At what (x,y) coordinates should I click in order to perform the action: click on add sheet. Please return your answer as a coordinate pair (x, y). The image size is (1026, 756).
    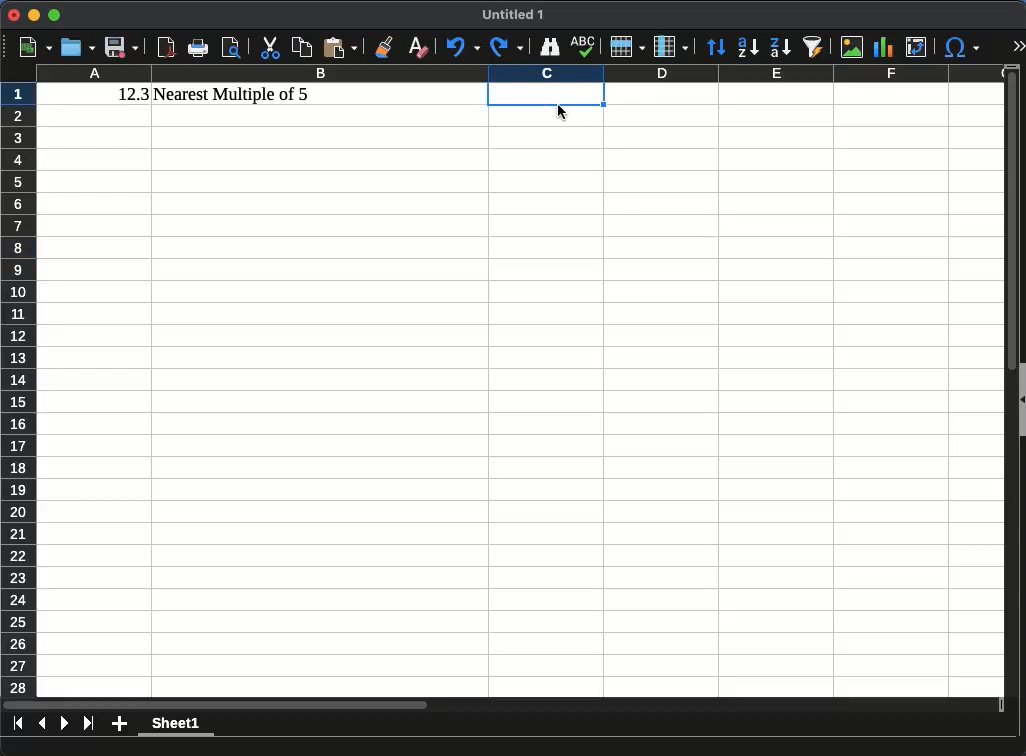
    Looking at the image, I should click on (119, 724).